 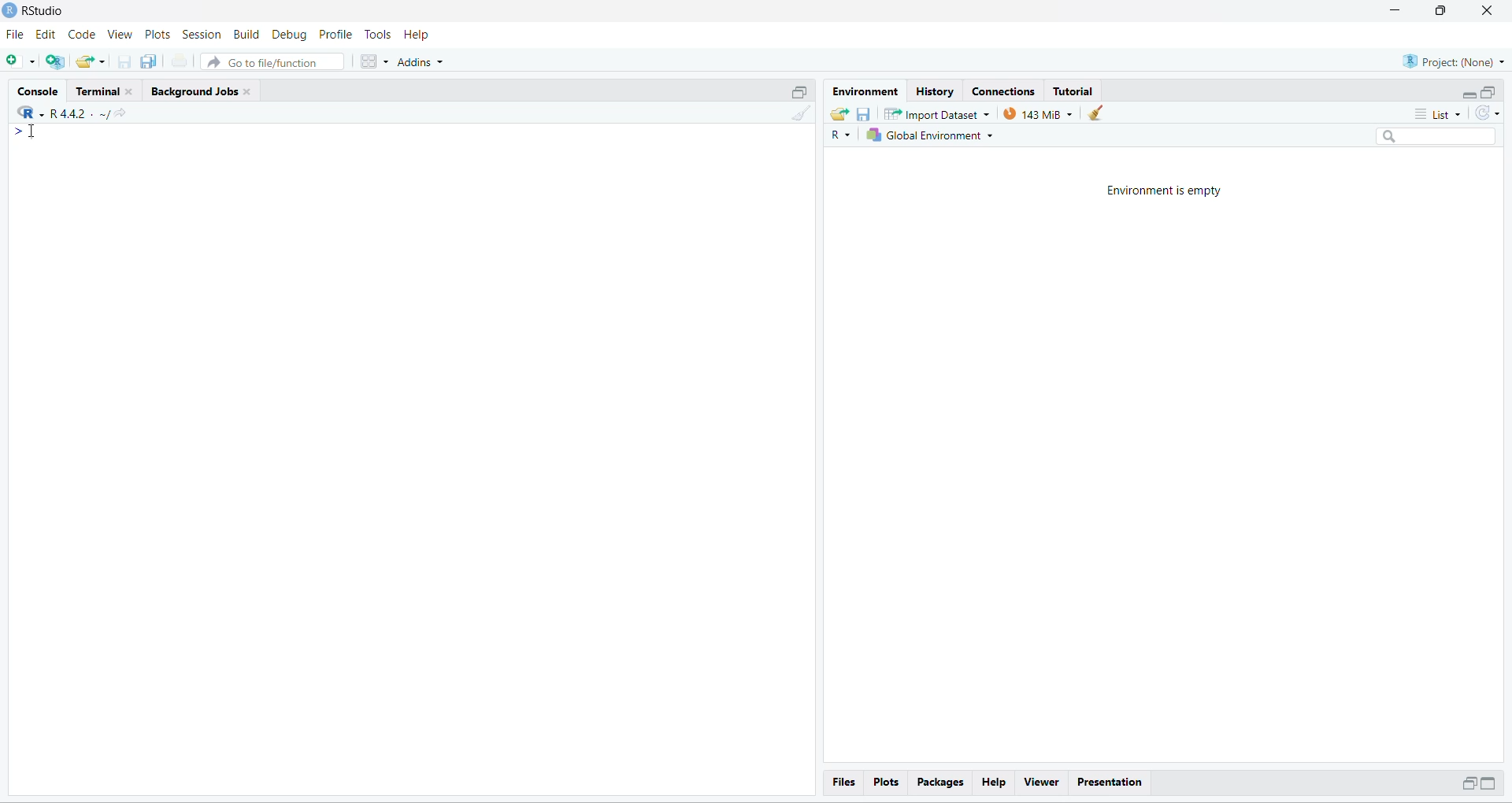 I want to click on open in separate window, so click(x=801, y=92).